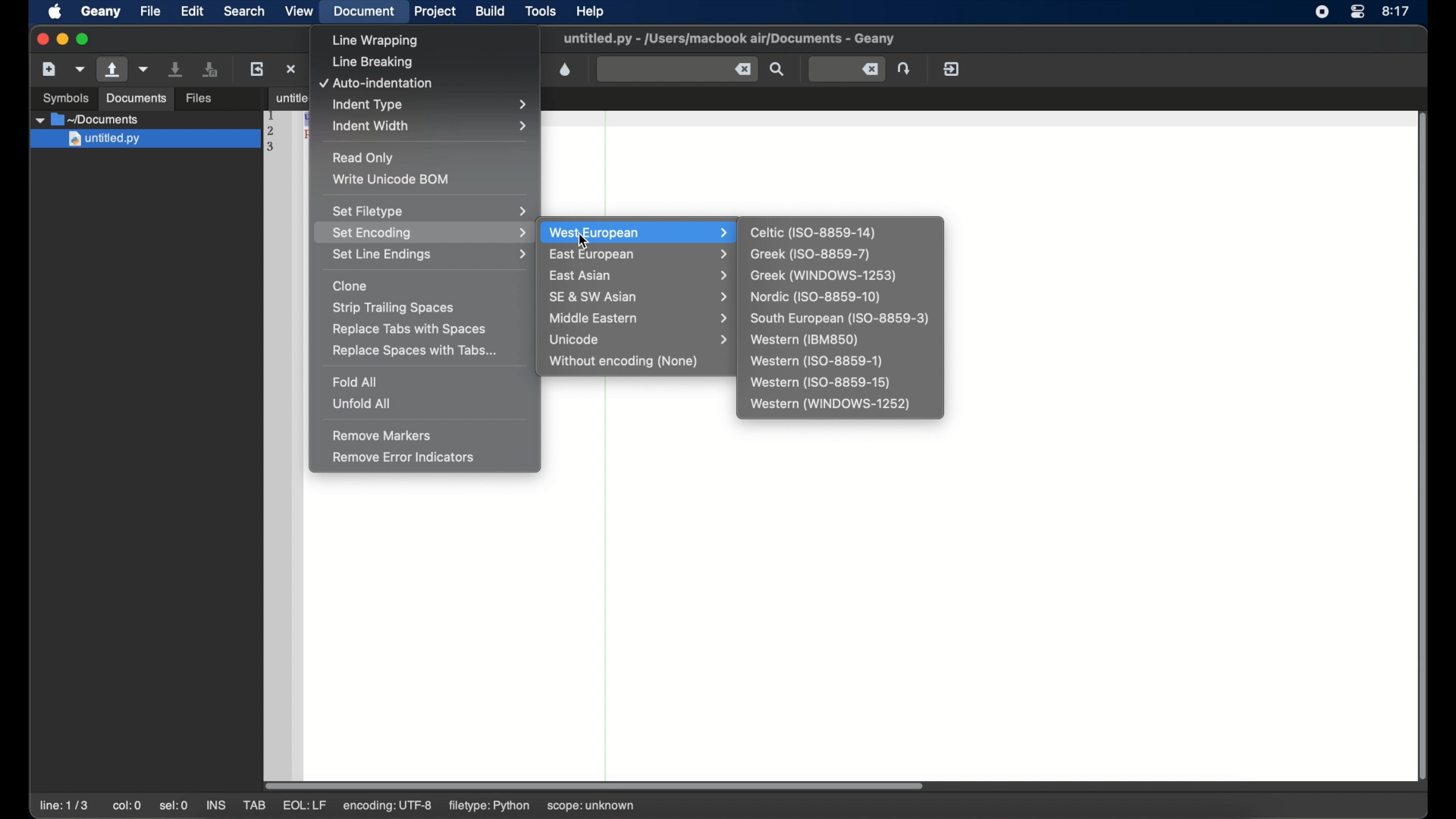  Describe the element at coordinates (291, 68) in the screenshot. I see `close the current file` at that location.